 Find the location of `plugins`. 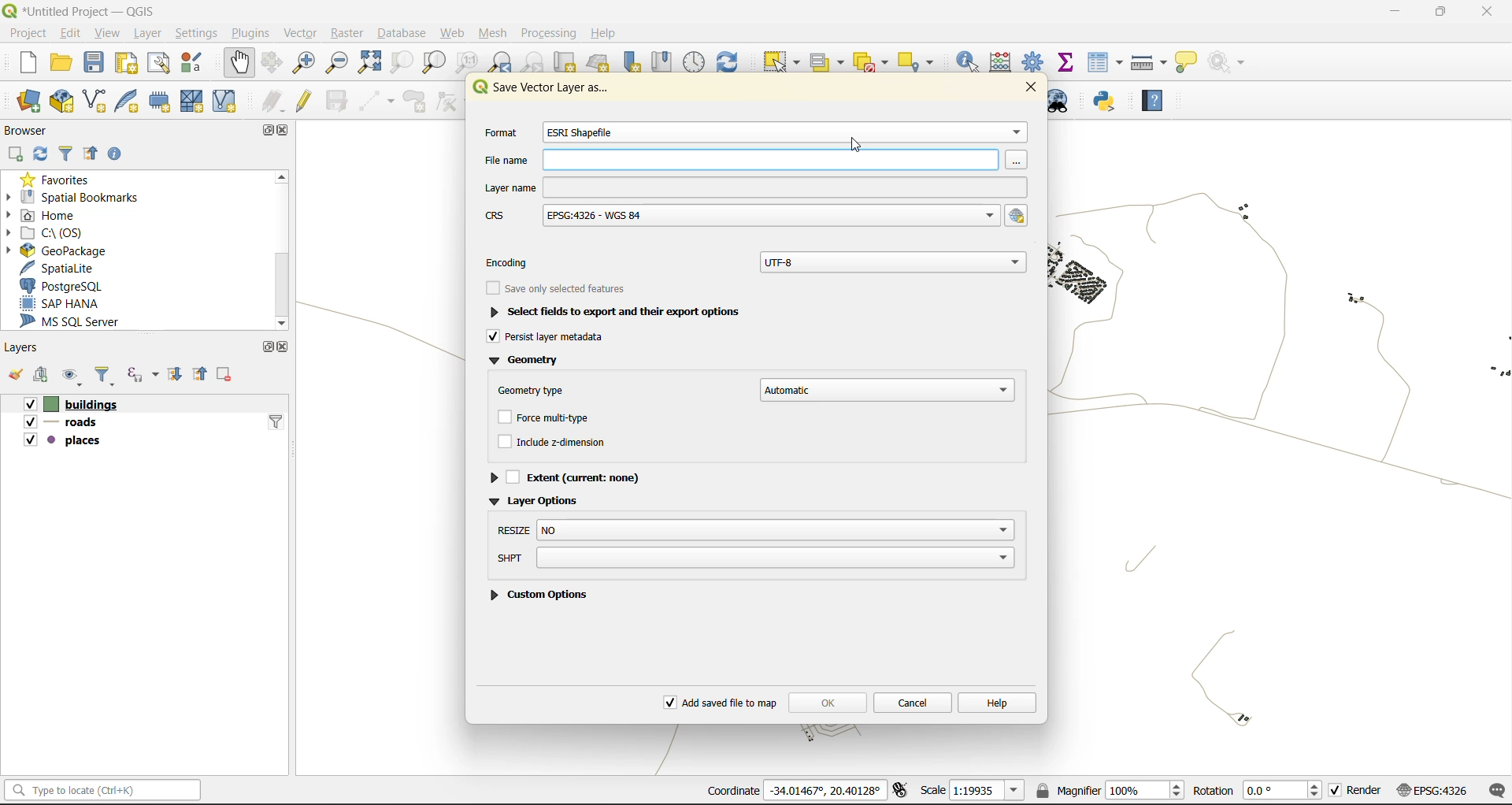

plugins is located at coordinates (255, 32).